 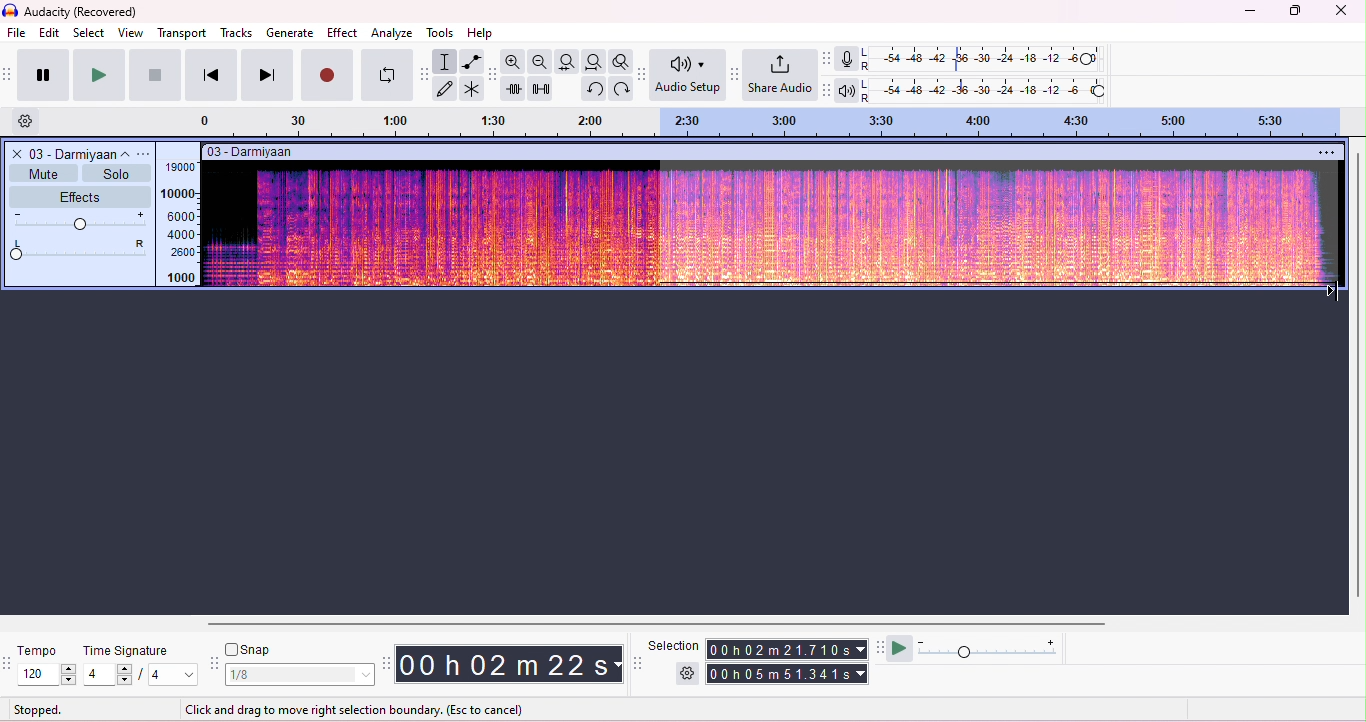 I want to click on vertical scroll bar, so click(x=1357, y=373).